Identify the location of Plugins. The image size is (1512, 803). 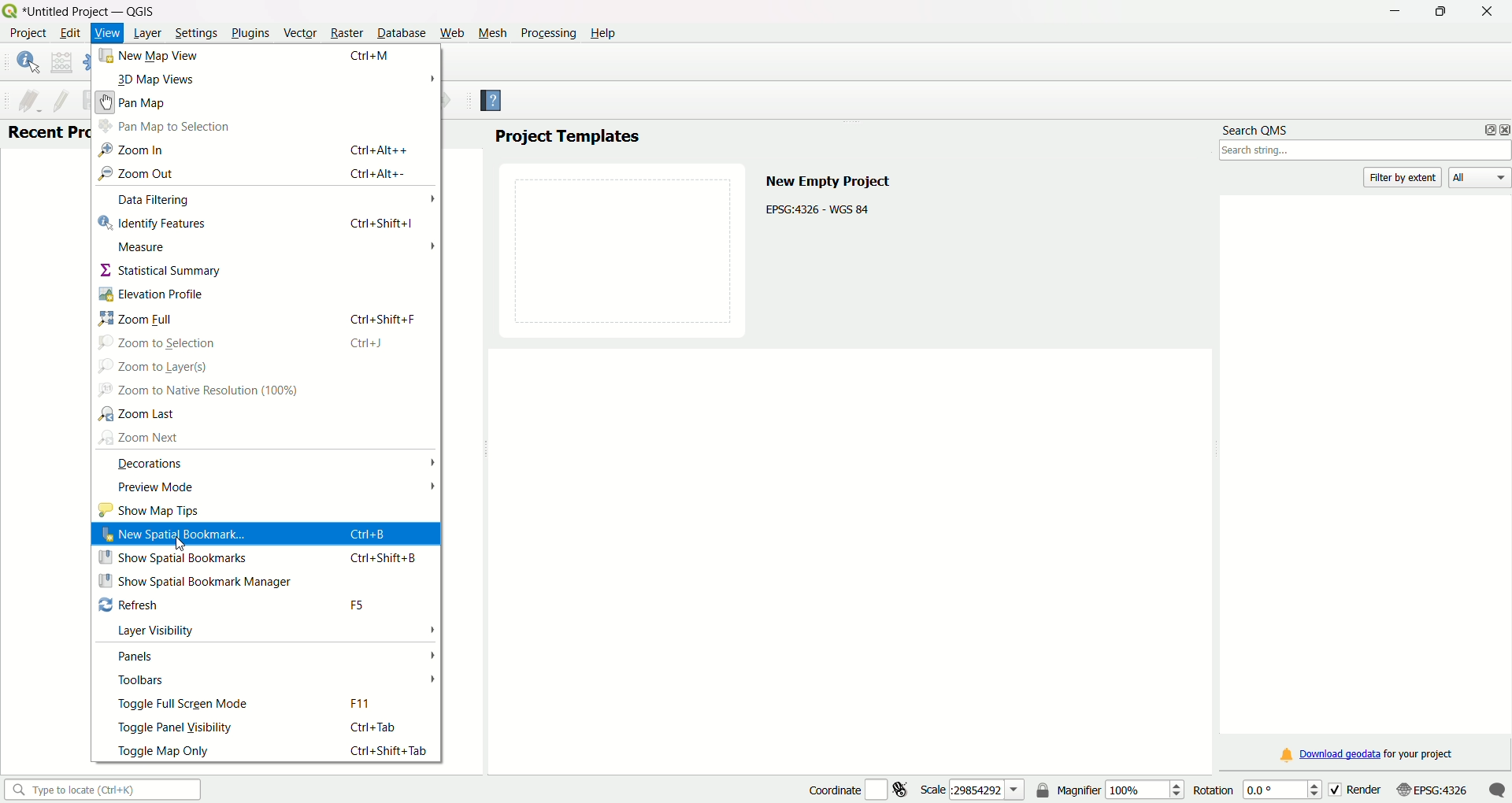
(250, 32).